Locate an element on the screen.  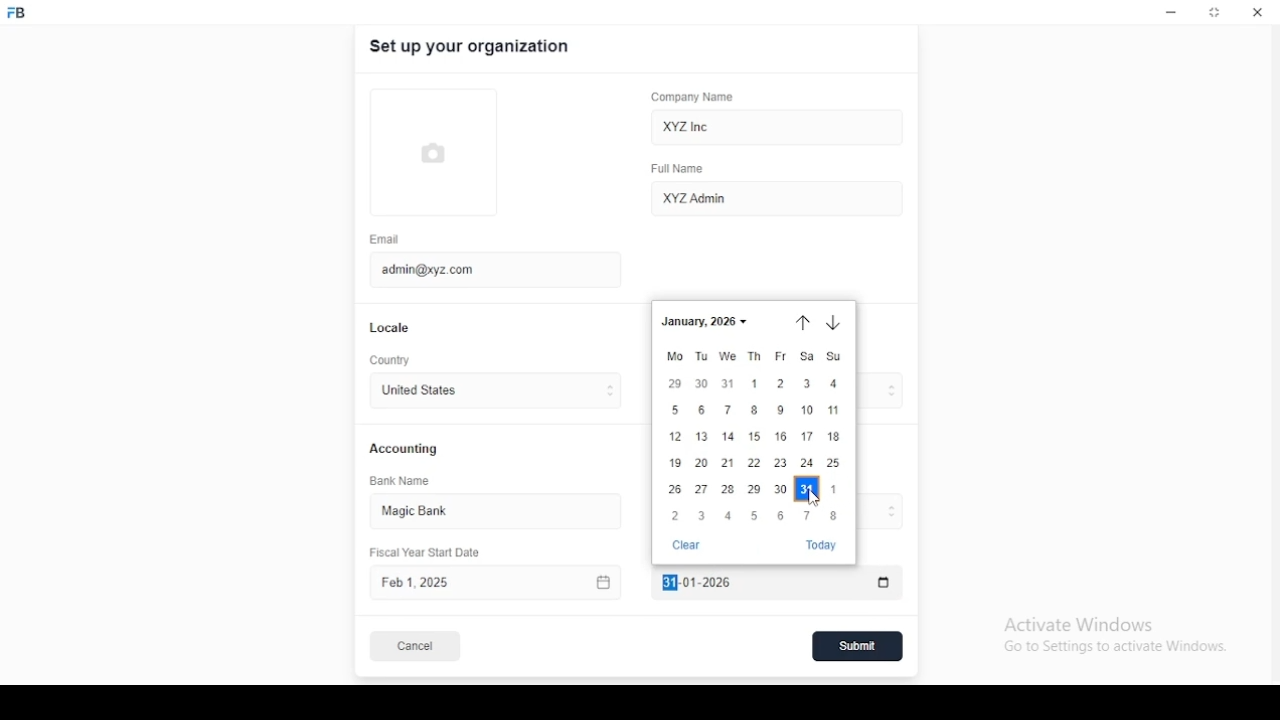
close window is located at coordinates (1255, 12).